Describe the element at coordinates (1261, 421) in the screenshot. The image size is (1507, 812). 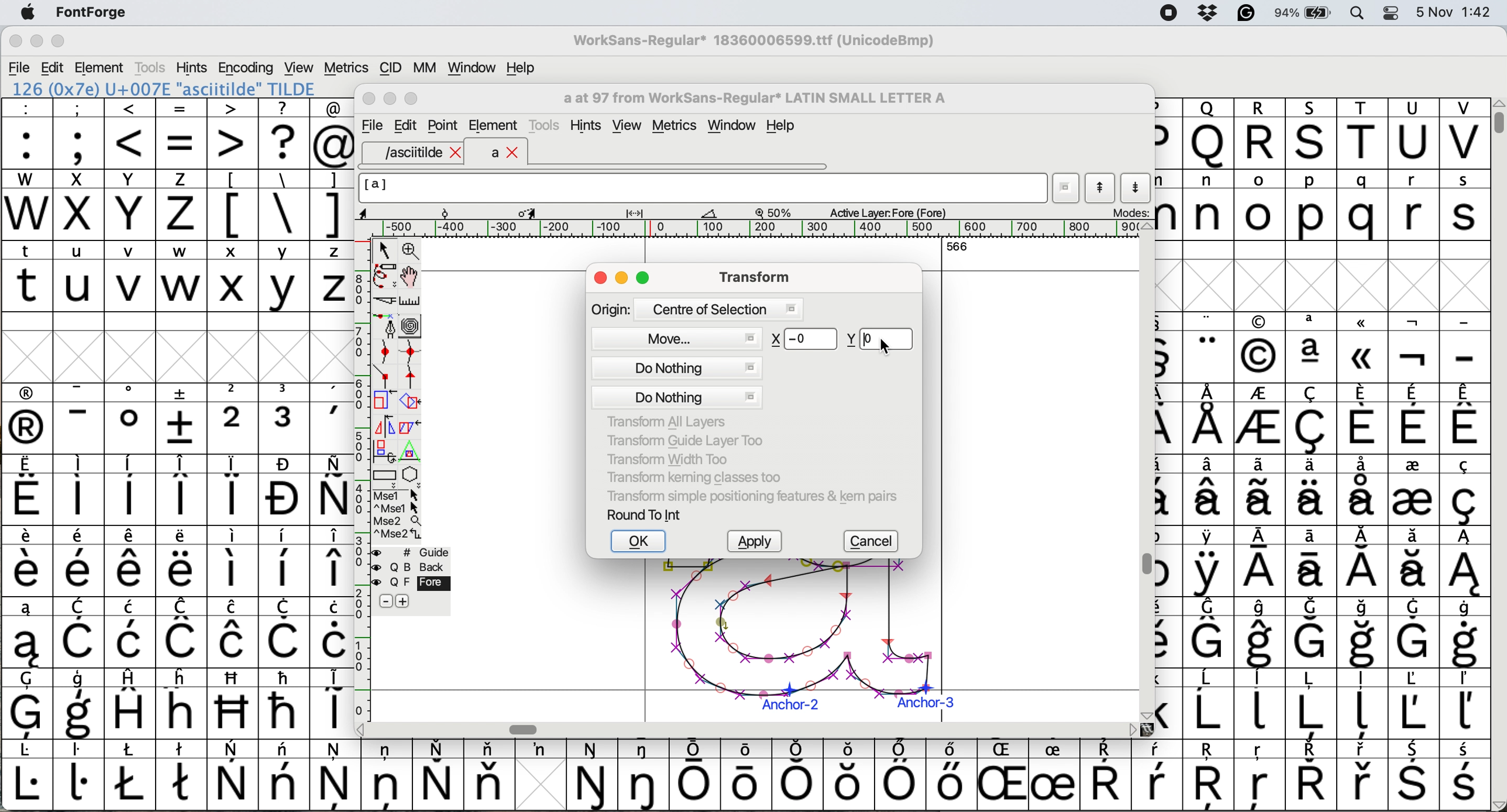
I see `symbol` at that location.